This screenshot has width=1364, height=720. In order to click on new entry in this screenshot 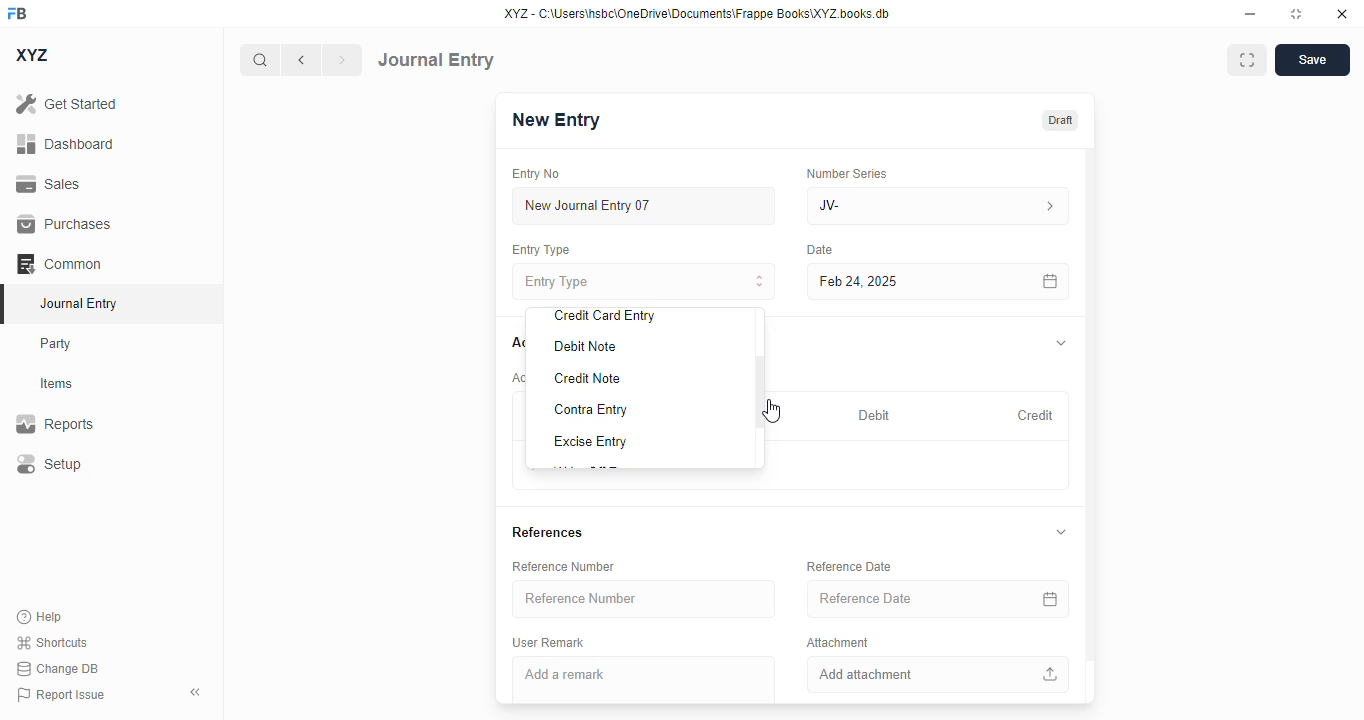, I will do `click(557, 119)`.